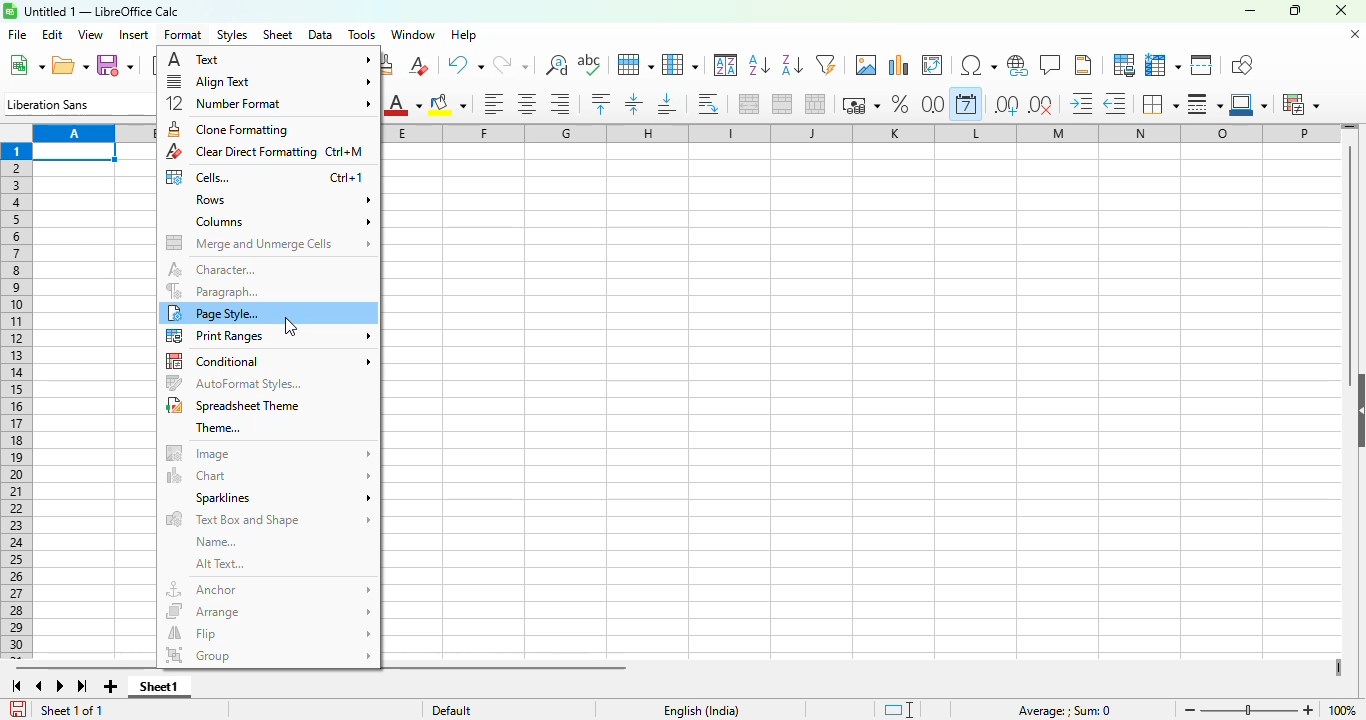 This screenshot has width=1366, height=720. Describe the element at coordinates (1250, 10) in the screenshot. I see `minimize` at that location.